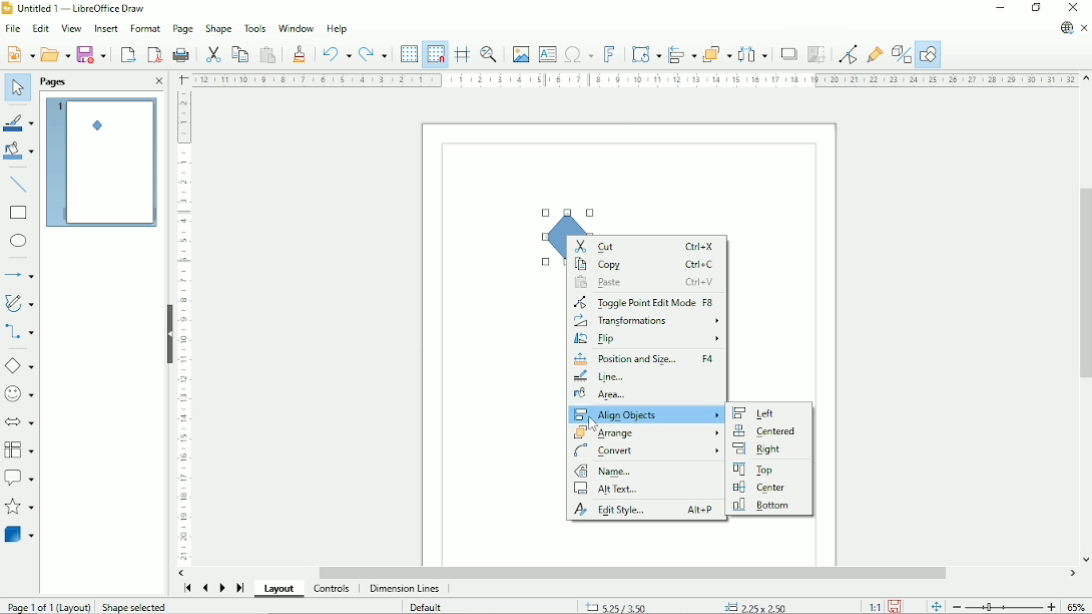 The image size is (1092, 614). What do you see at coordinates (47, 606) in the screenshot?
I see `Page 1 of 1 (Layout)` at bounding box center [47, 606].